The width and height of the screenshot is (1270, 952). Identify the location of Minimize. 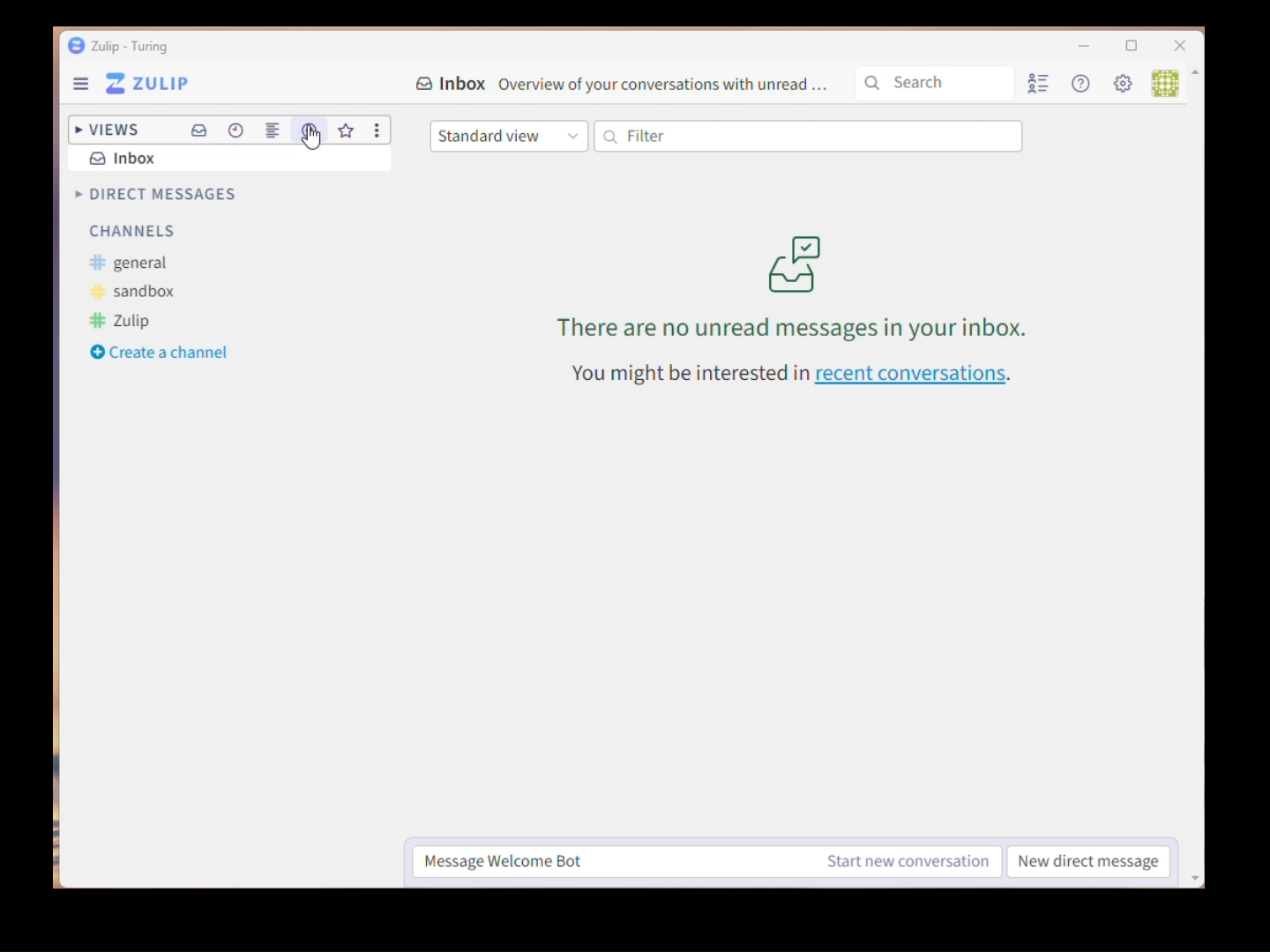
(1073, 48).